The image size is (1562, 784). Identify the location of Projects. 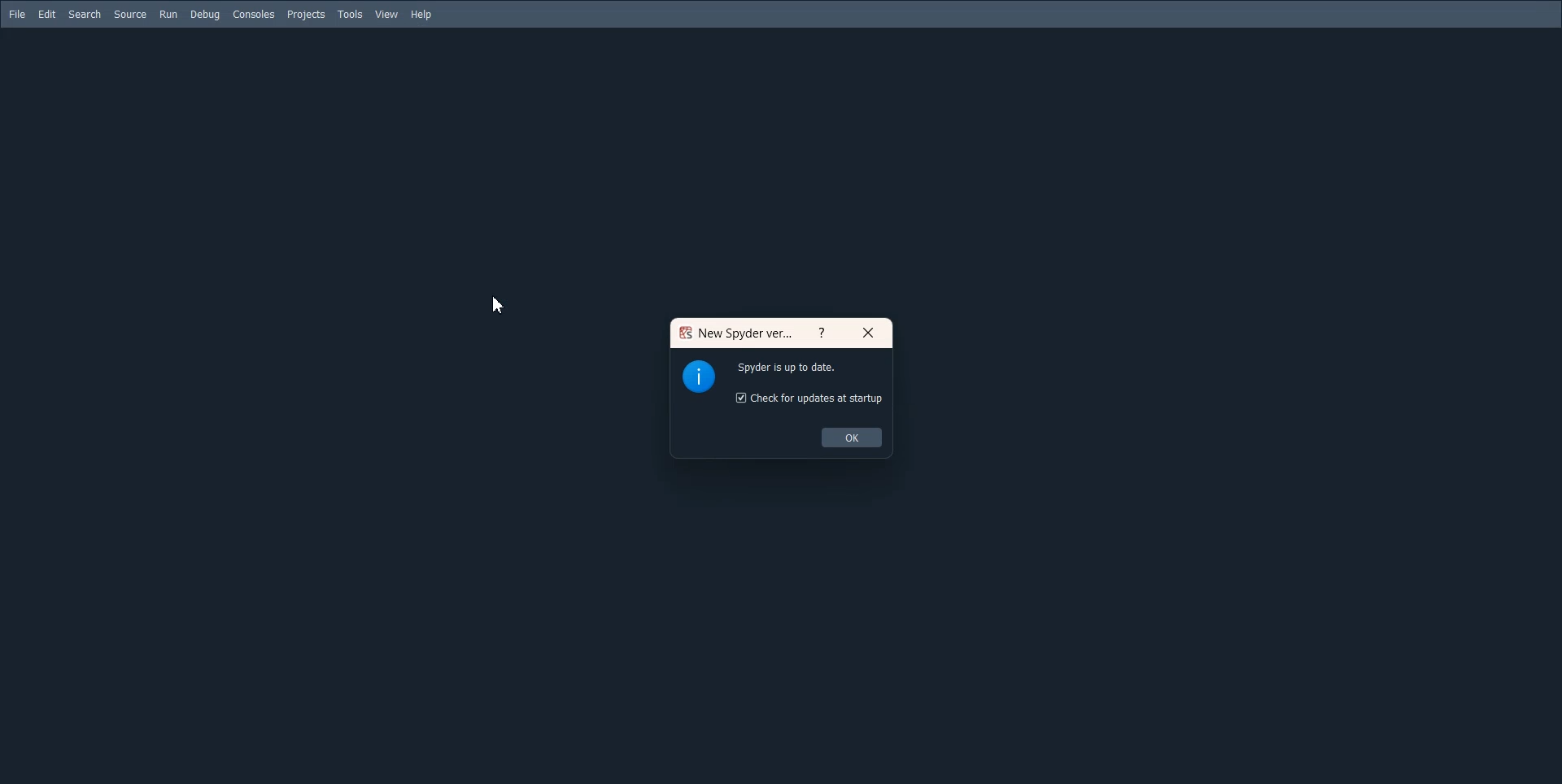
(306, 15).